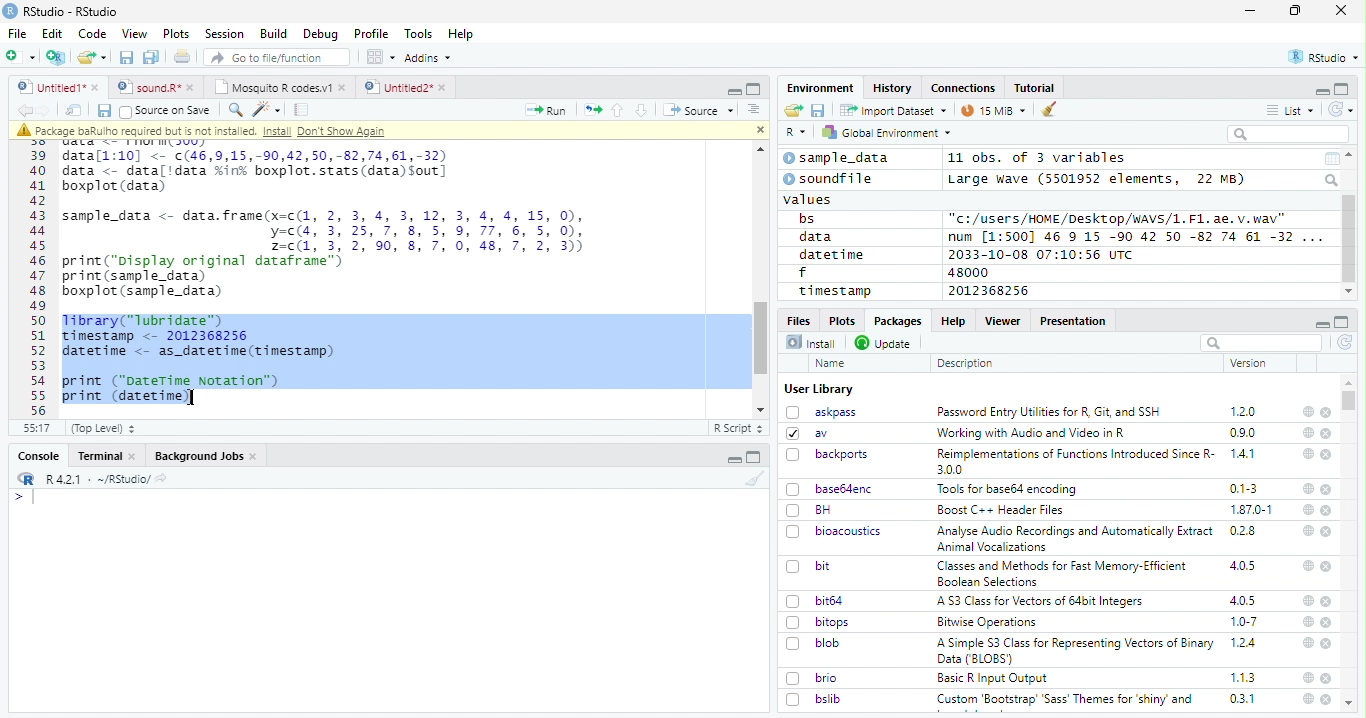 The image size is (1366, 718). I want to click on timestamp, so click(834, 290).